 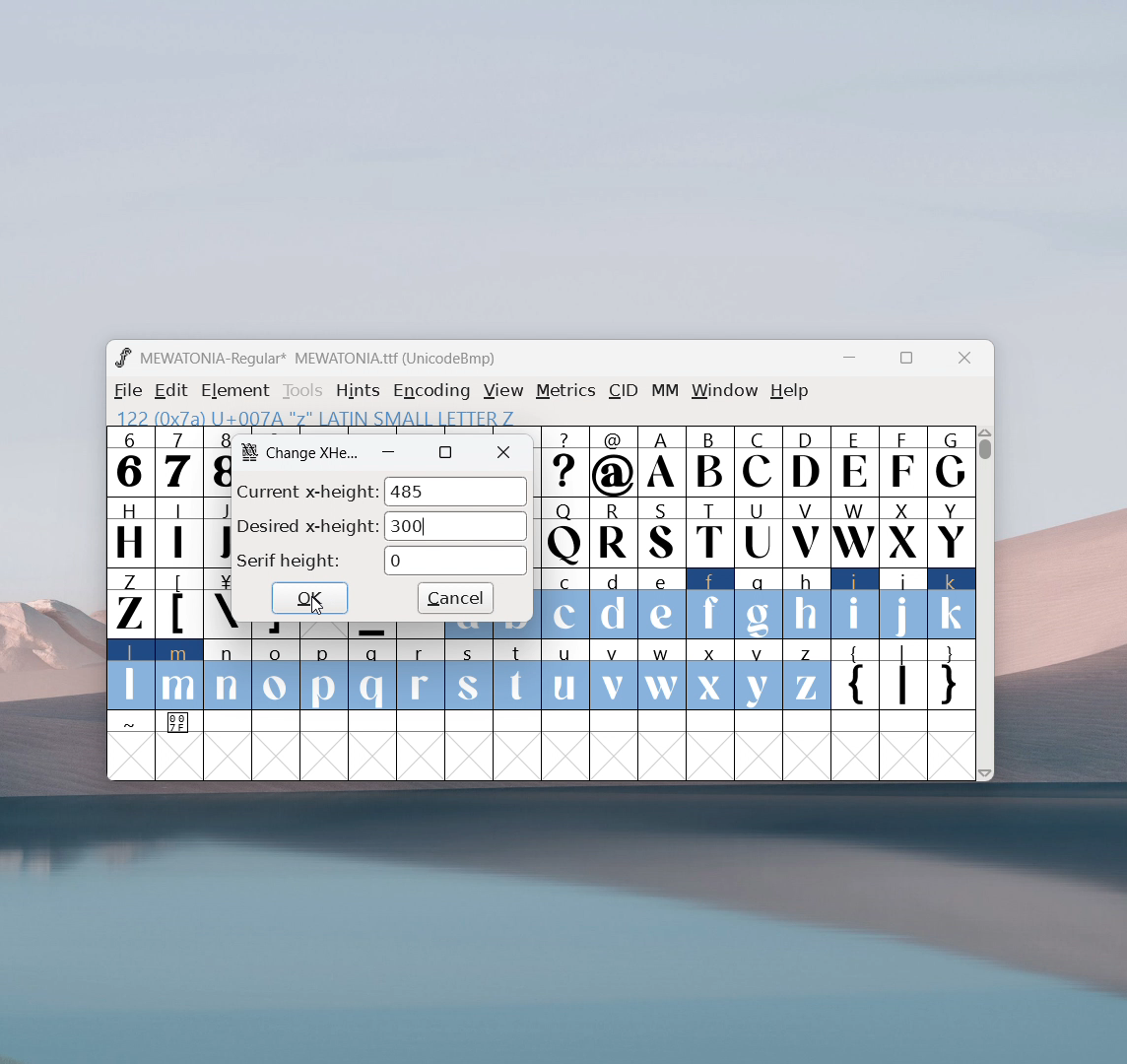 What do you see at coordinates (709, 462) in the screenshot?
I see `B` at bounding box center [709, 462].